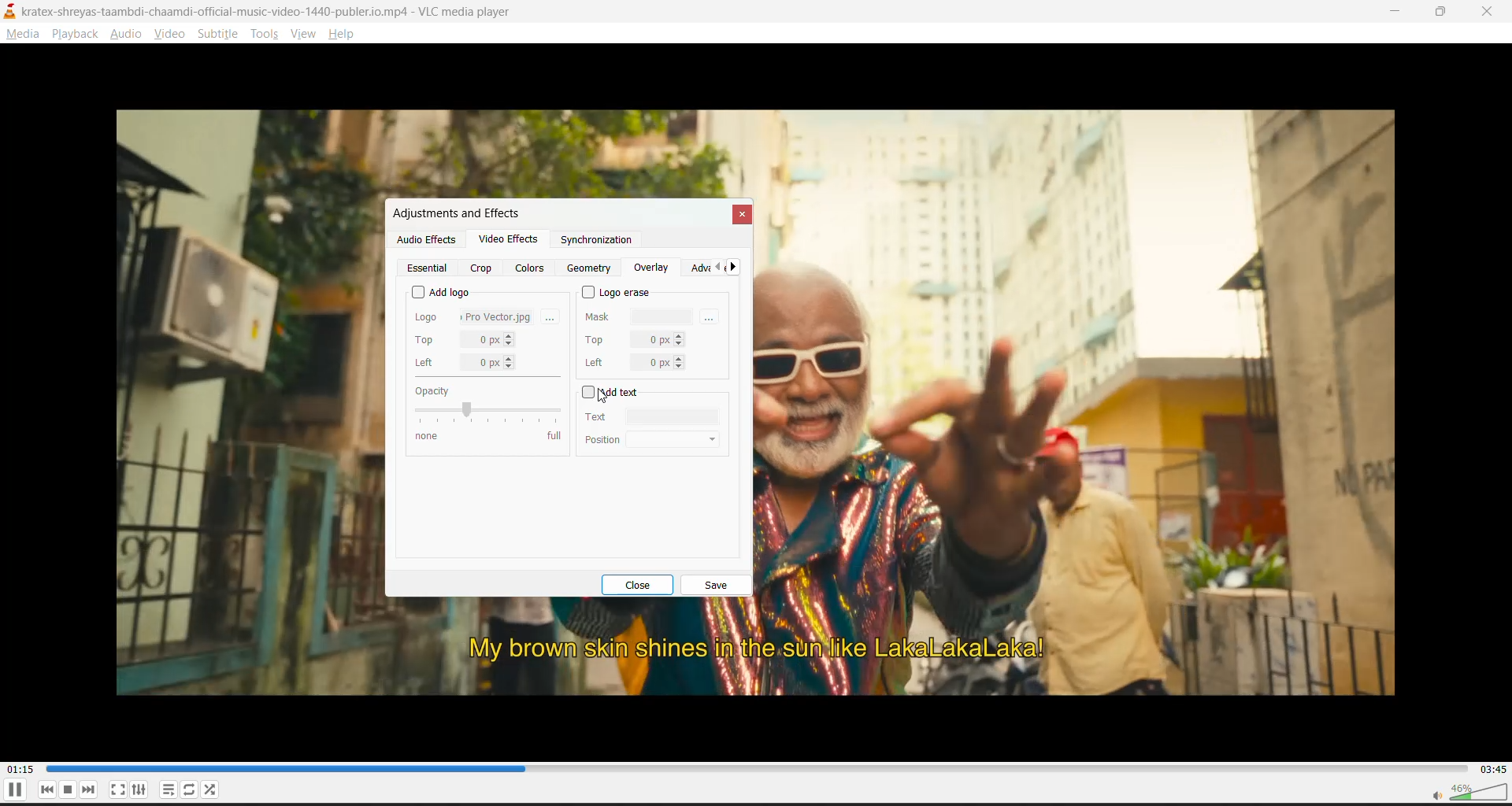 This screenshot has height=806, width=1512. What do you see at coordinates (1488, 13) in the screenshot?
I see `close` at bounding box center [1488, 13].